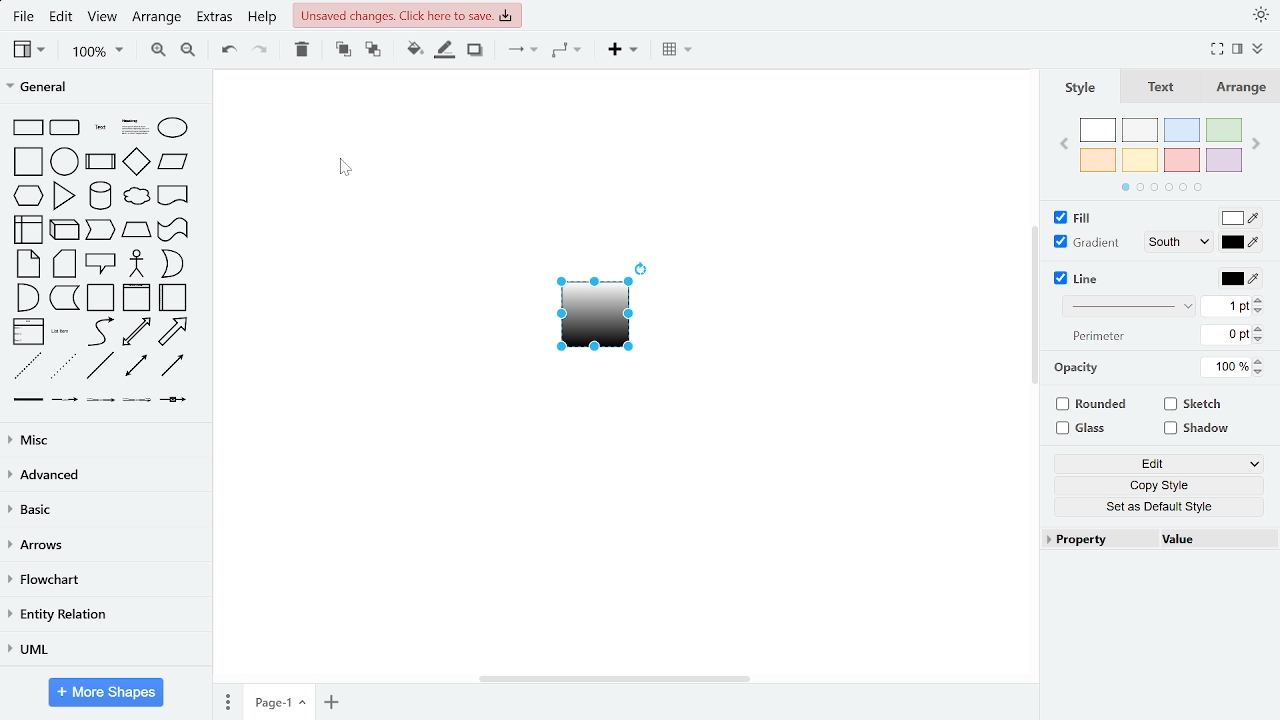  What do you see at coordinates (1238, 49) in the screenshot?
I see `format` at bounding box center [1238, 49].